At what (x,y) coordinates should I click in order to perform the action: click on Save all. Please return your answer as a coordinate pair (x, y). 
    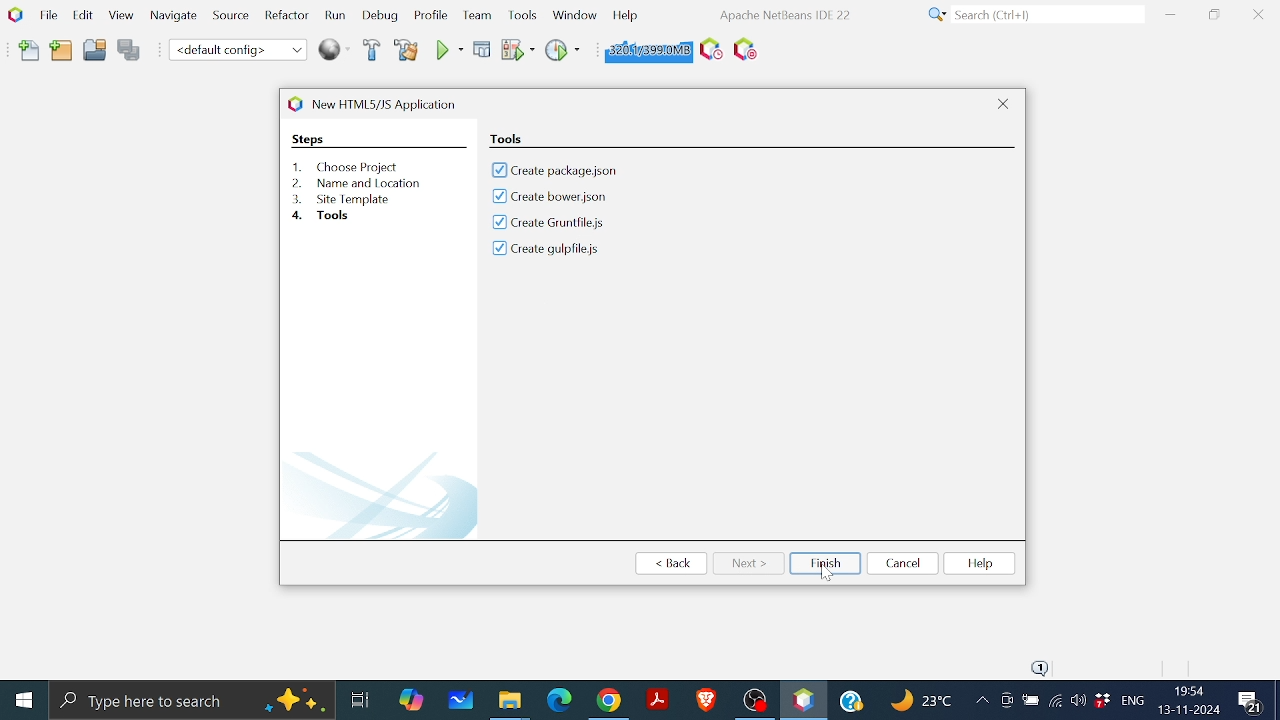
    Looking at the image, I should click on (129, 51).